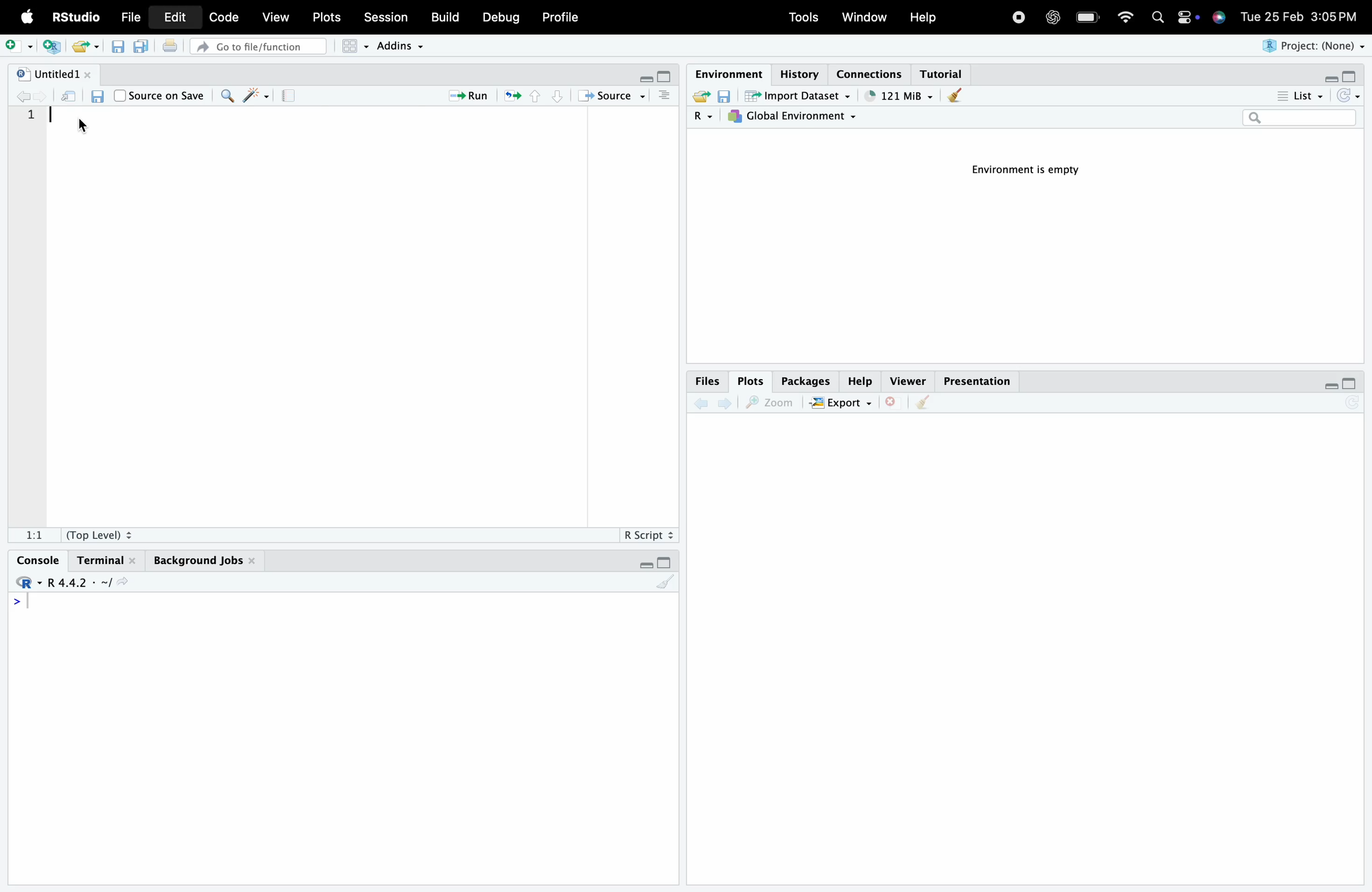 This screenshot has width=1372, height=892. Describe the element at coordinates (1053, 15) in the screenshot. I see `ChatGpt` at that location.